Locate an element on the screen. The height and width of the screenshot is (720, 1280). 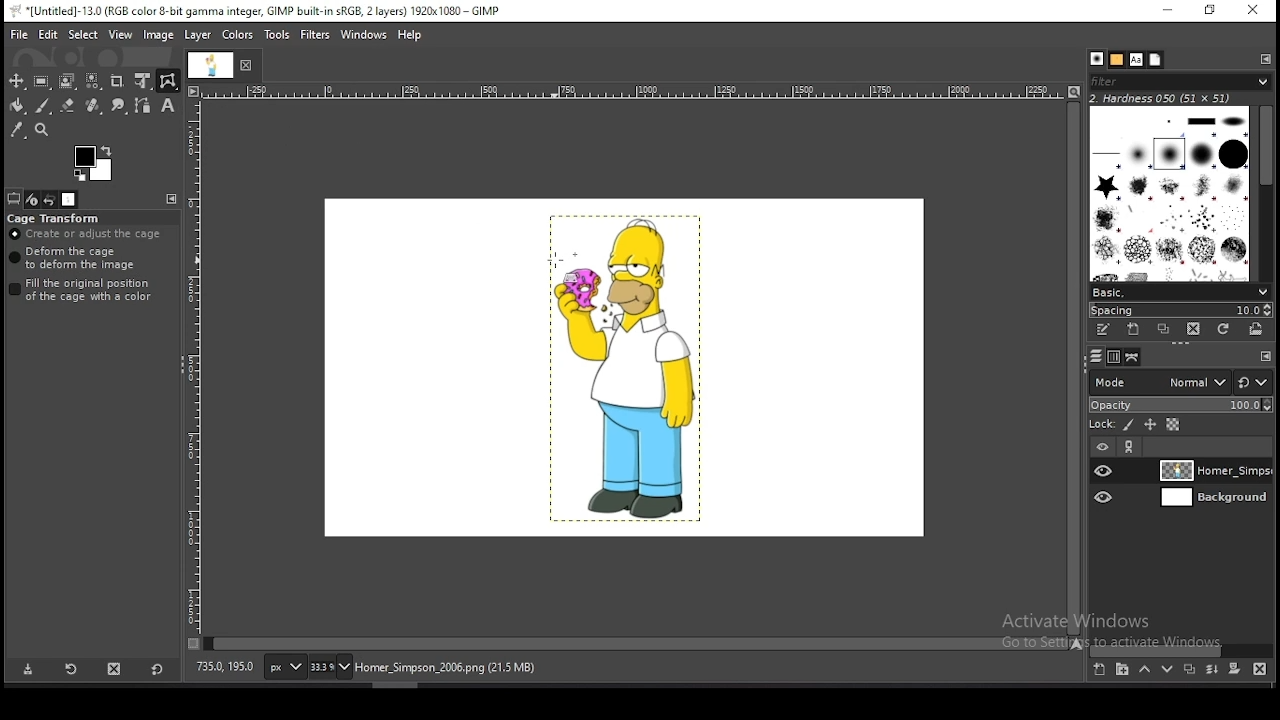
cage transform is located at coordinates (168, 81).